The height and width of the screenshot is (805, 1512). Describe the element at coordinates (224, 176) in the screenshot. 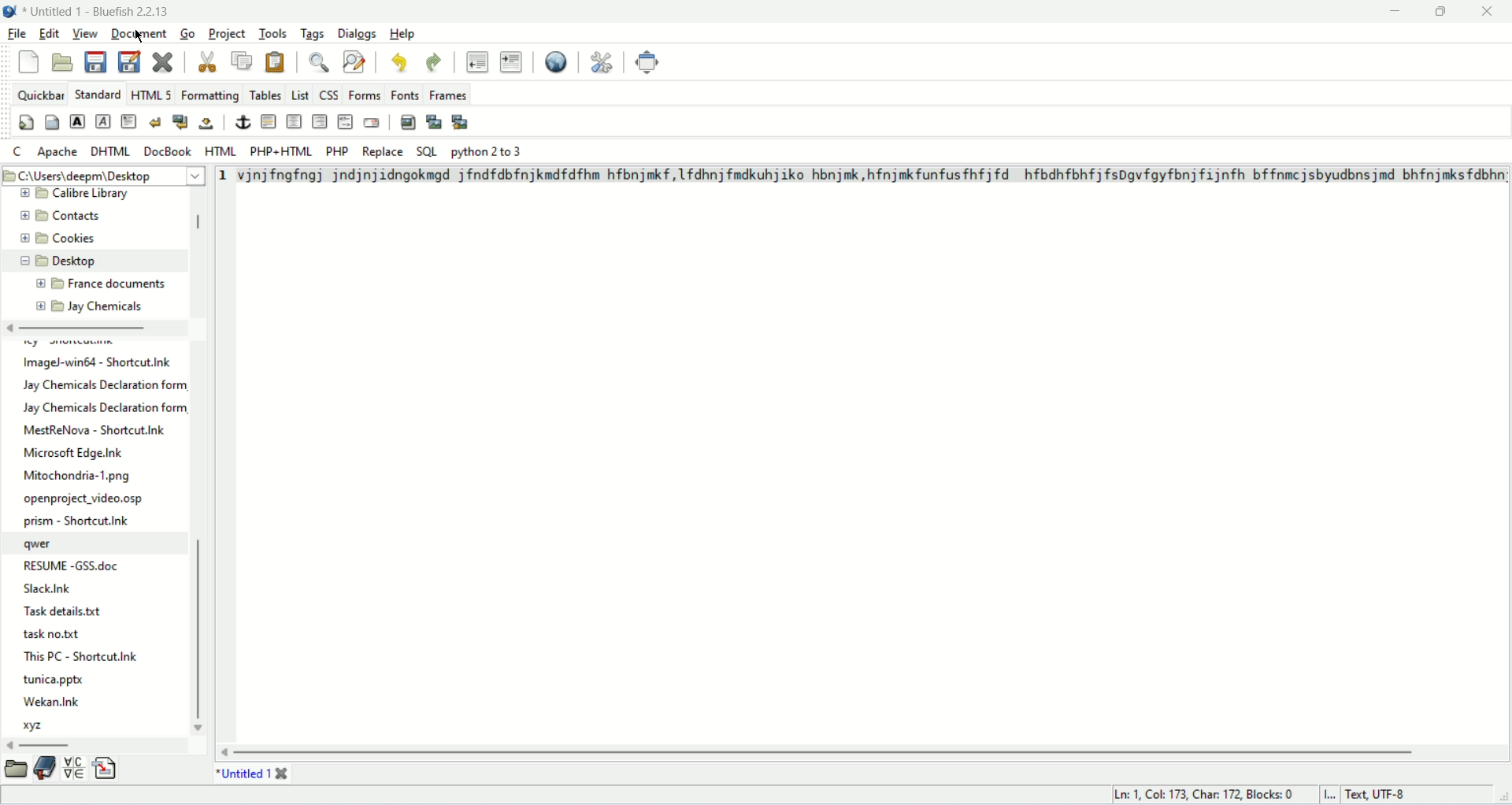

I see `line number` at that location.